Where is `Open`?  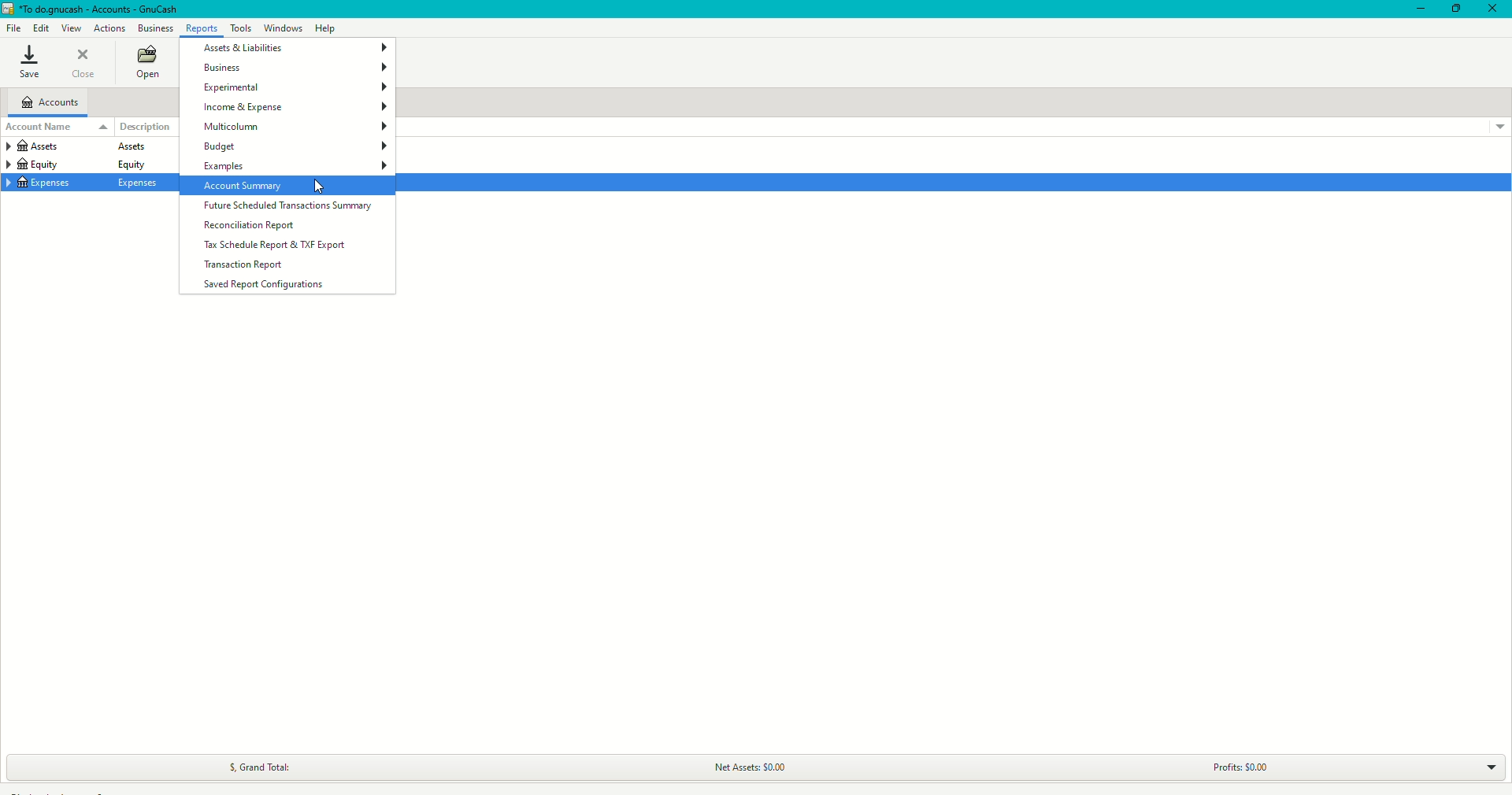
Open is located at coordinates (143, 65).